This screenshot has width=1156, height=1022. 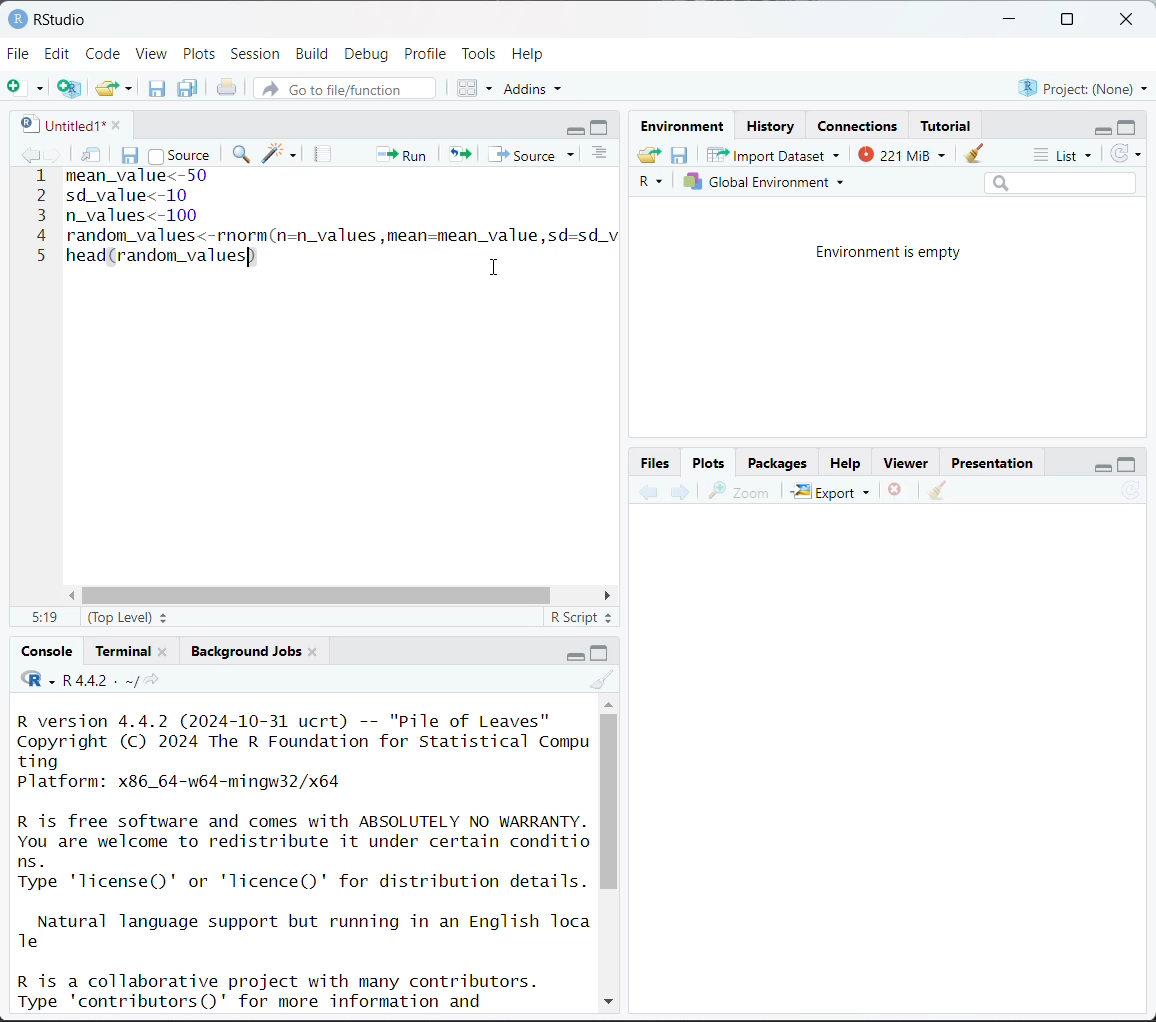 I want to click on sd_value<-10, so click(x=129, y=194).